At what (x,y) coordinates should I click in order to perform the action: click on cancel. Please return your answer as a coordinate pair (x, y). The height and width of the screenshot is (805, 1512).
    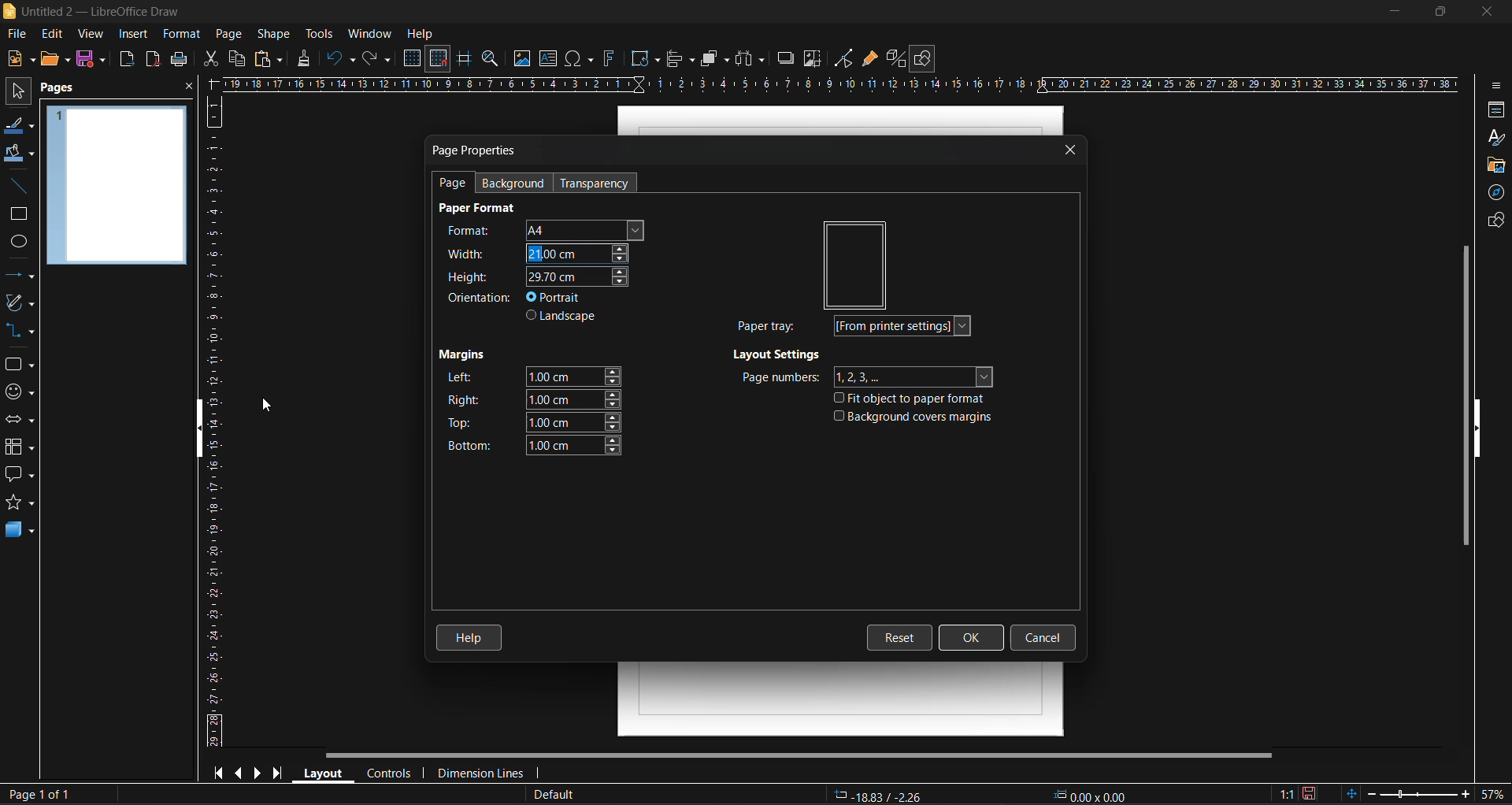
    Looking at the image, I should click on (1044, 638).